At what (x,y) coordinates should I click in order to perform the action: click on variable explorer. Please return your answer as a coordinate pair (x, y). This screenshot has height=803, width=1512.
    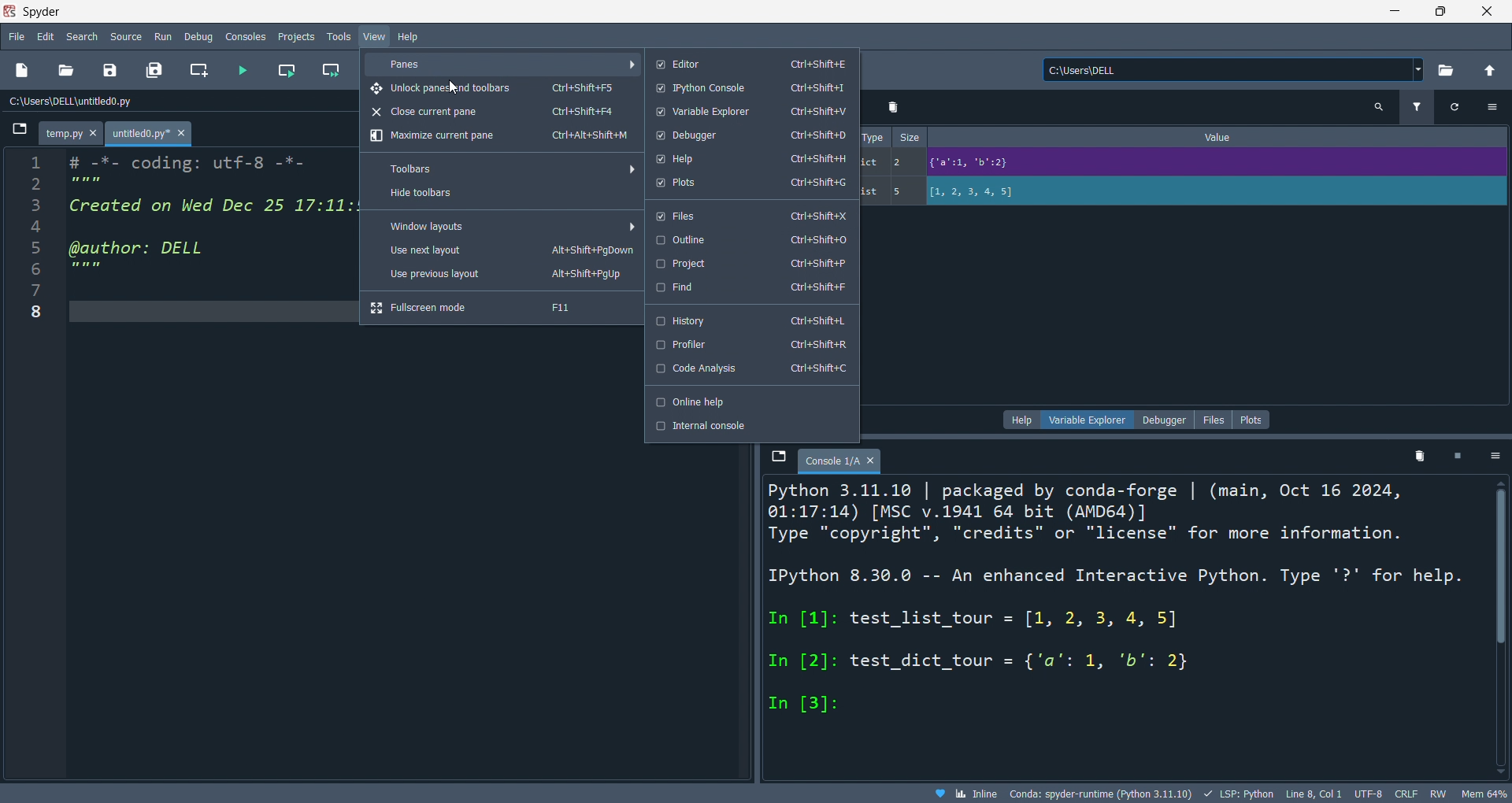
    Looking at the image, I should click on (1091, 419).